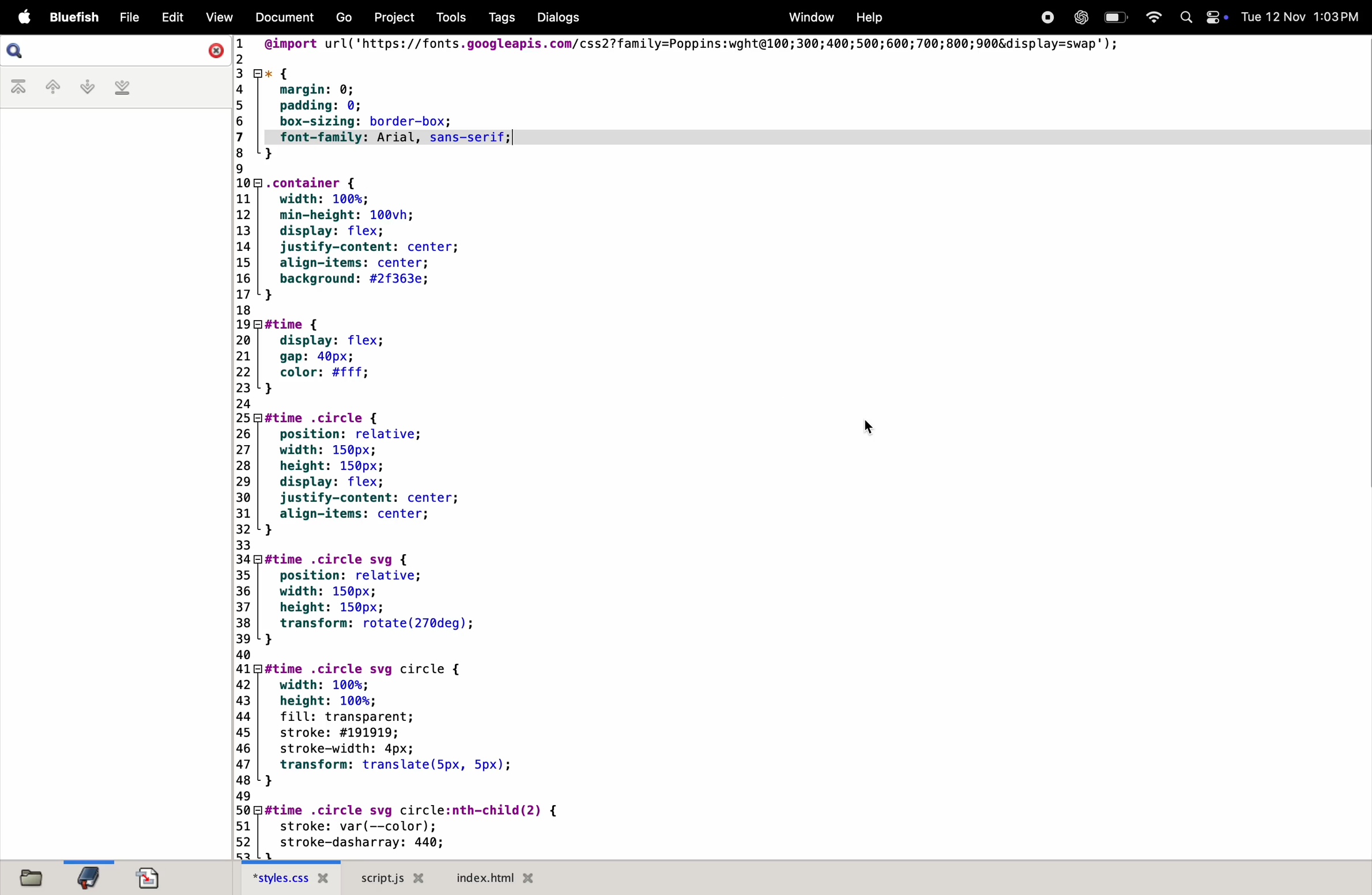 This screenshot has height=895, width=1372. What do you see at coordinates (1118, 16) in the screenshot?
I see `battery` at bounding box center [1118, 16].